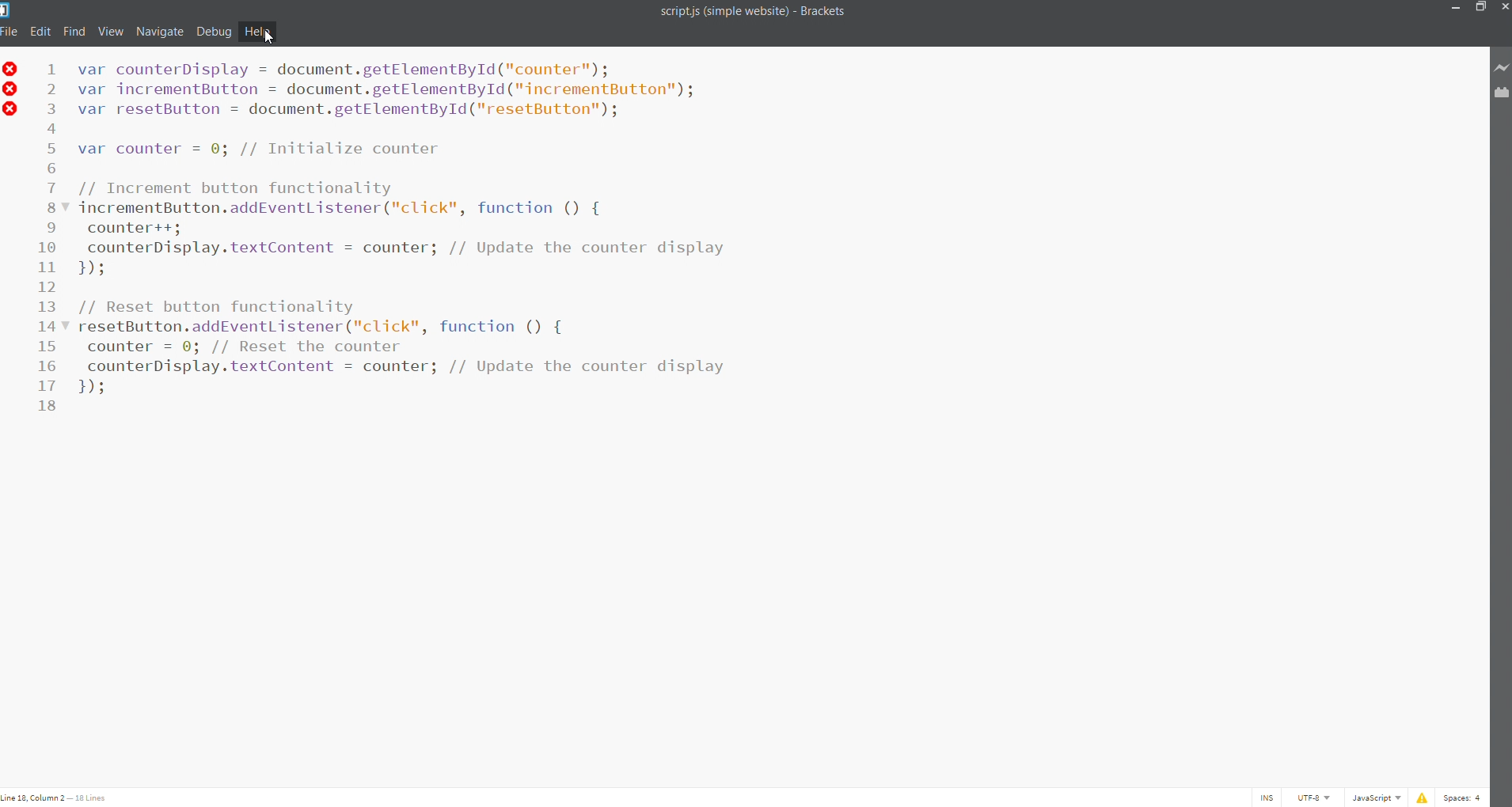 This screenshot has height=807, width=1512. Describe the element at coordinates (214, 31) in the screenshot. I see `debug` at that location.